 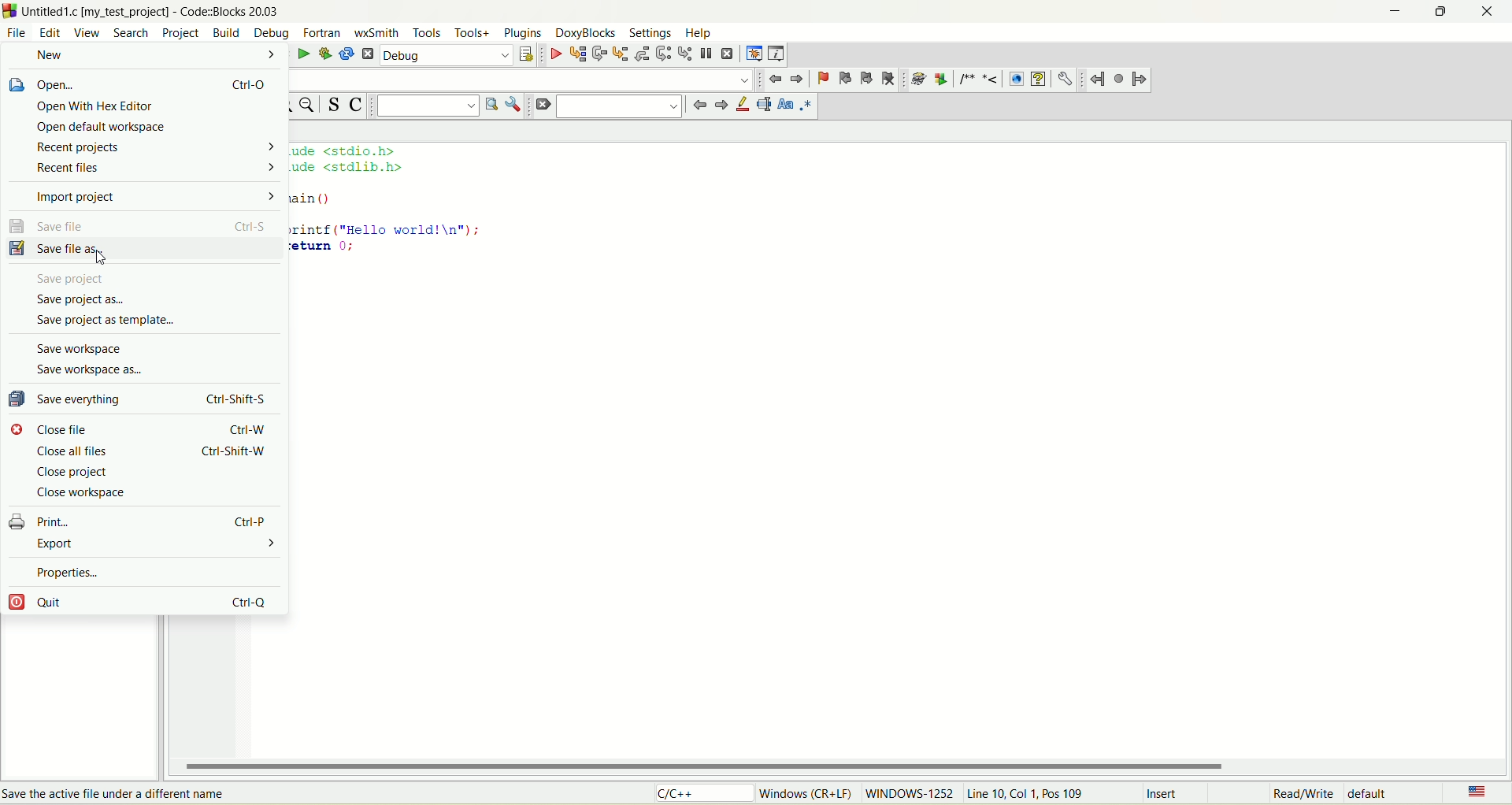 What do you see at coordinates (143, 397) in the screenshot?
I see `save everything` at bounding box center [143, 397].